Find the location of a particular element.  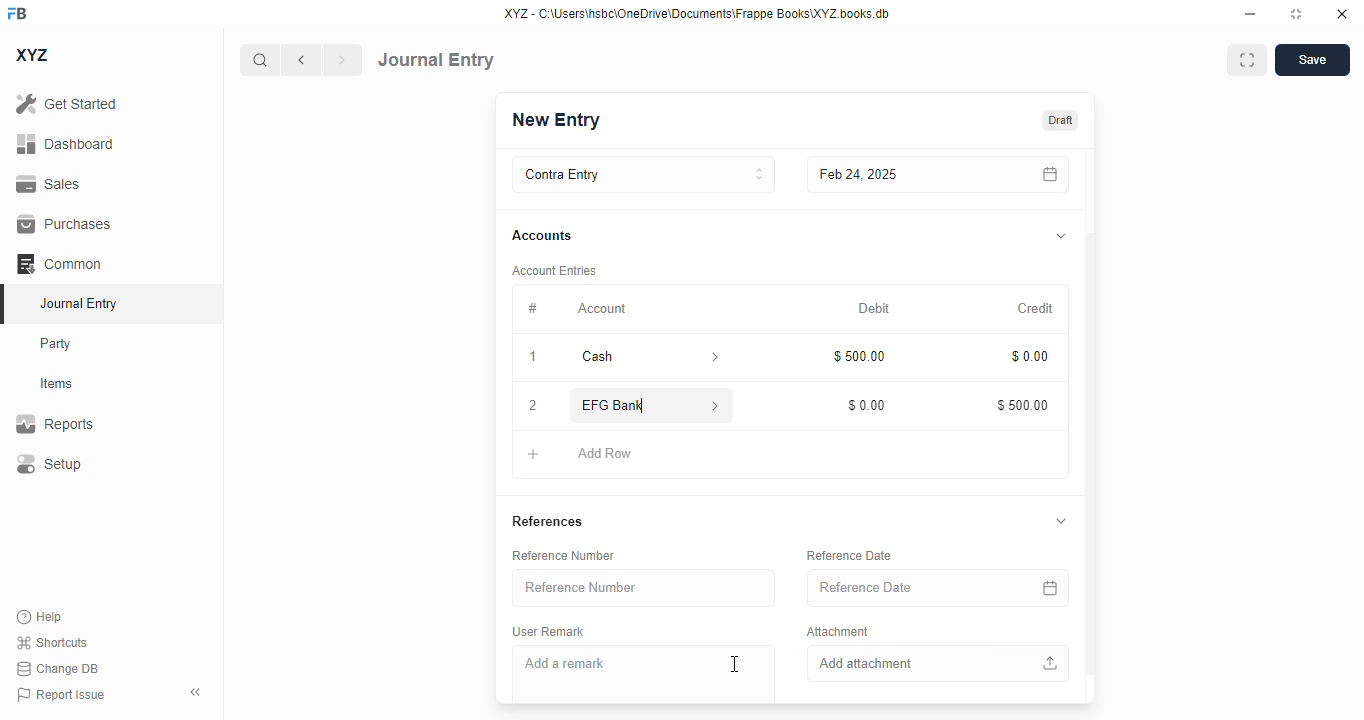

reference number is located at coordinates (564, 556).